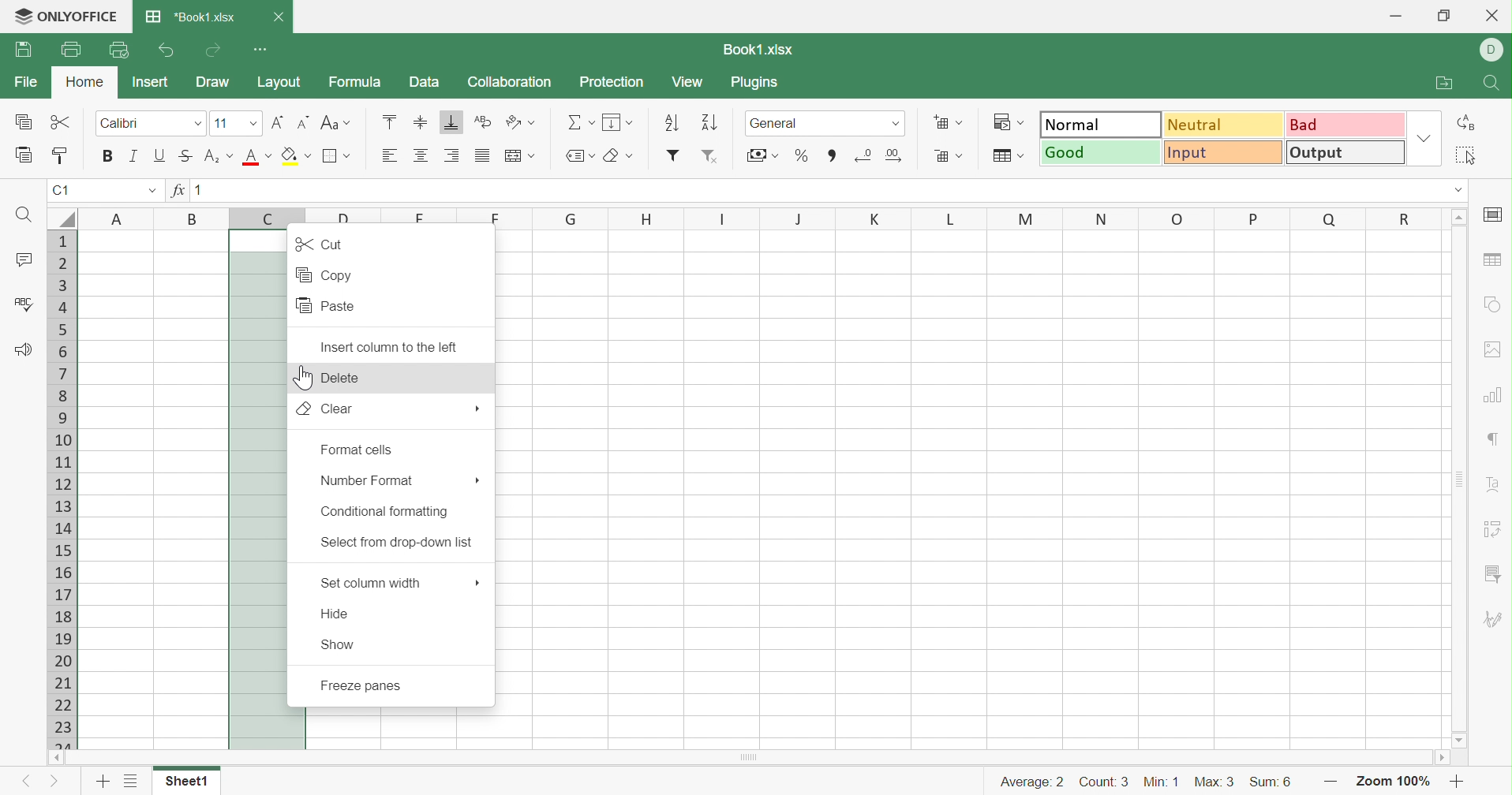  I want to click on Descending order, so click(707, 125).